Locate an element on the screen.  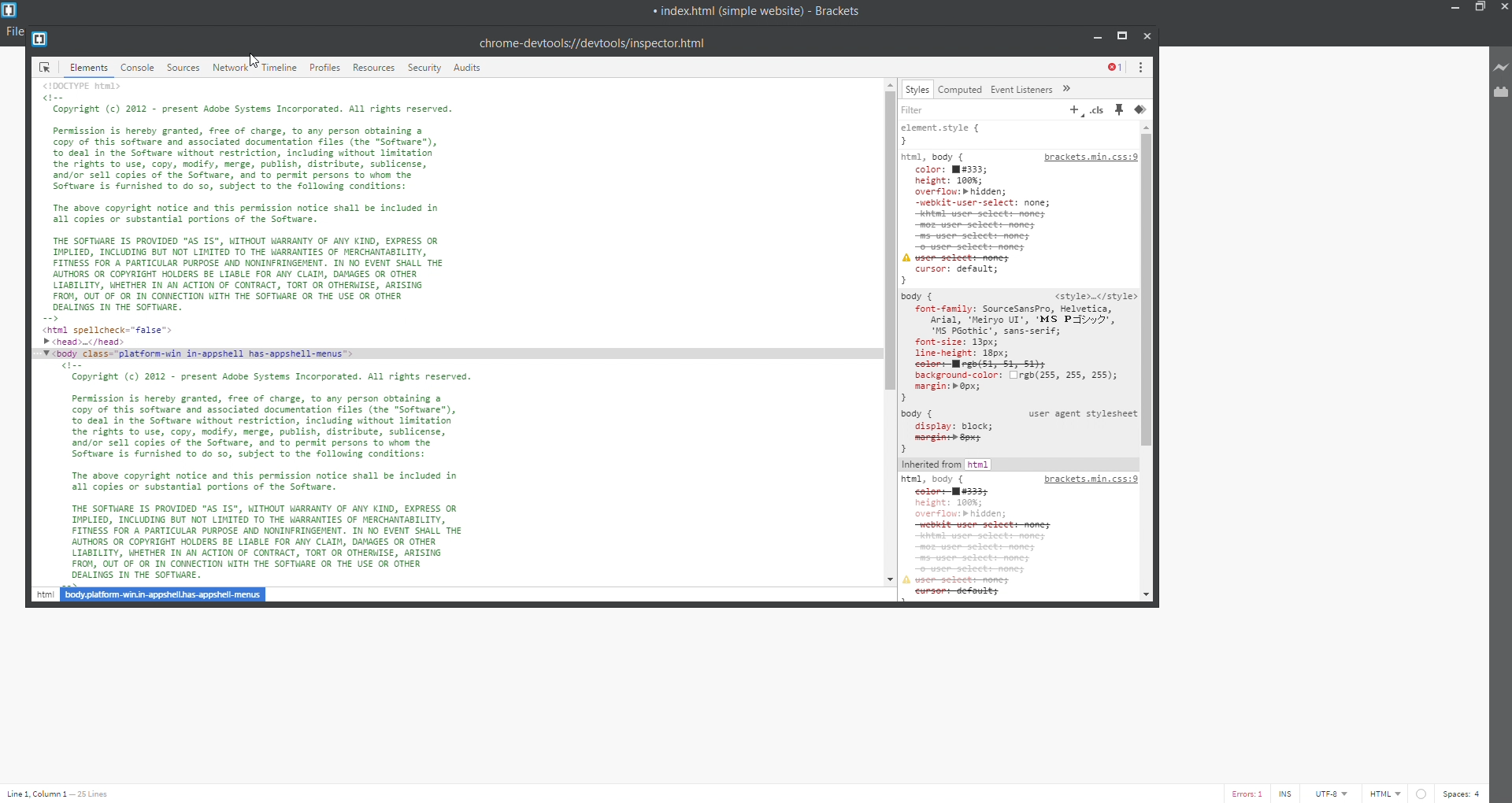
elements text is located at coordinates (437, 331).